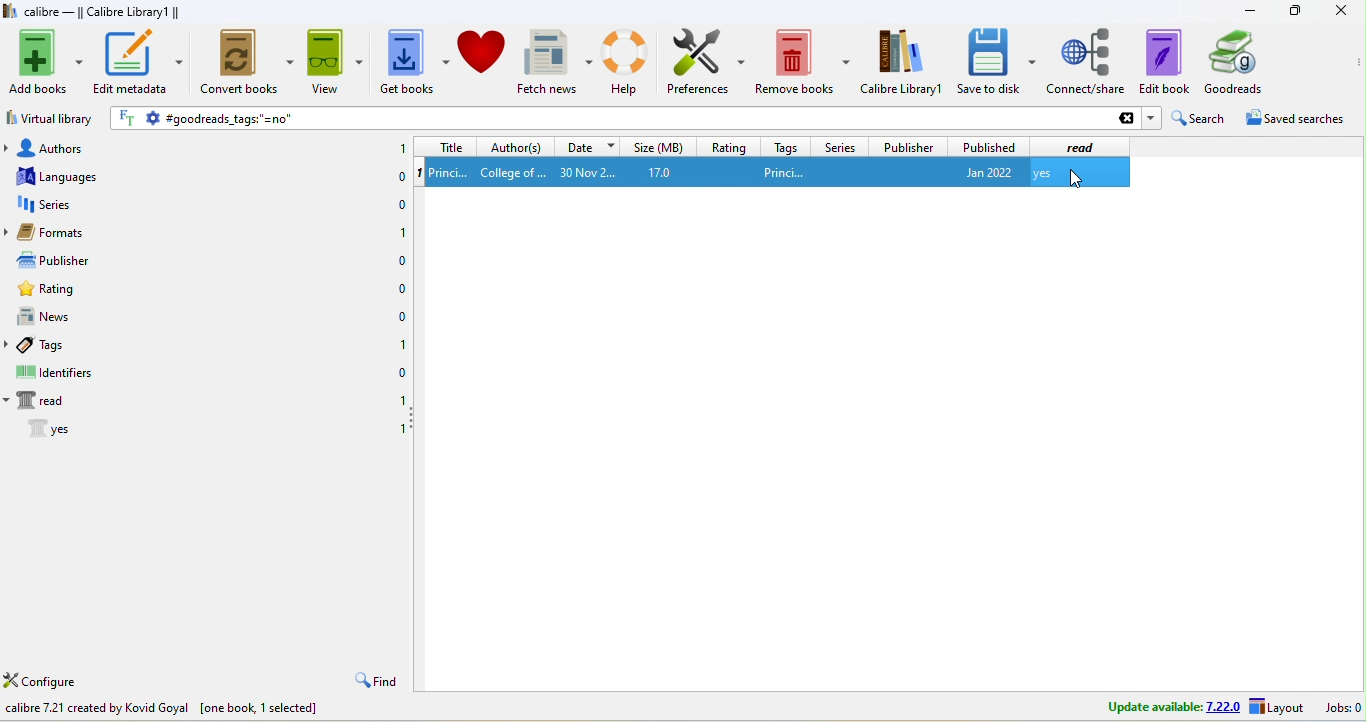 The image size is (1366, 722). What do you see at coordinates (665, 172) in the screenshot?
I see `17.0` at bounding box center [665, 172].